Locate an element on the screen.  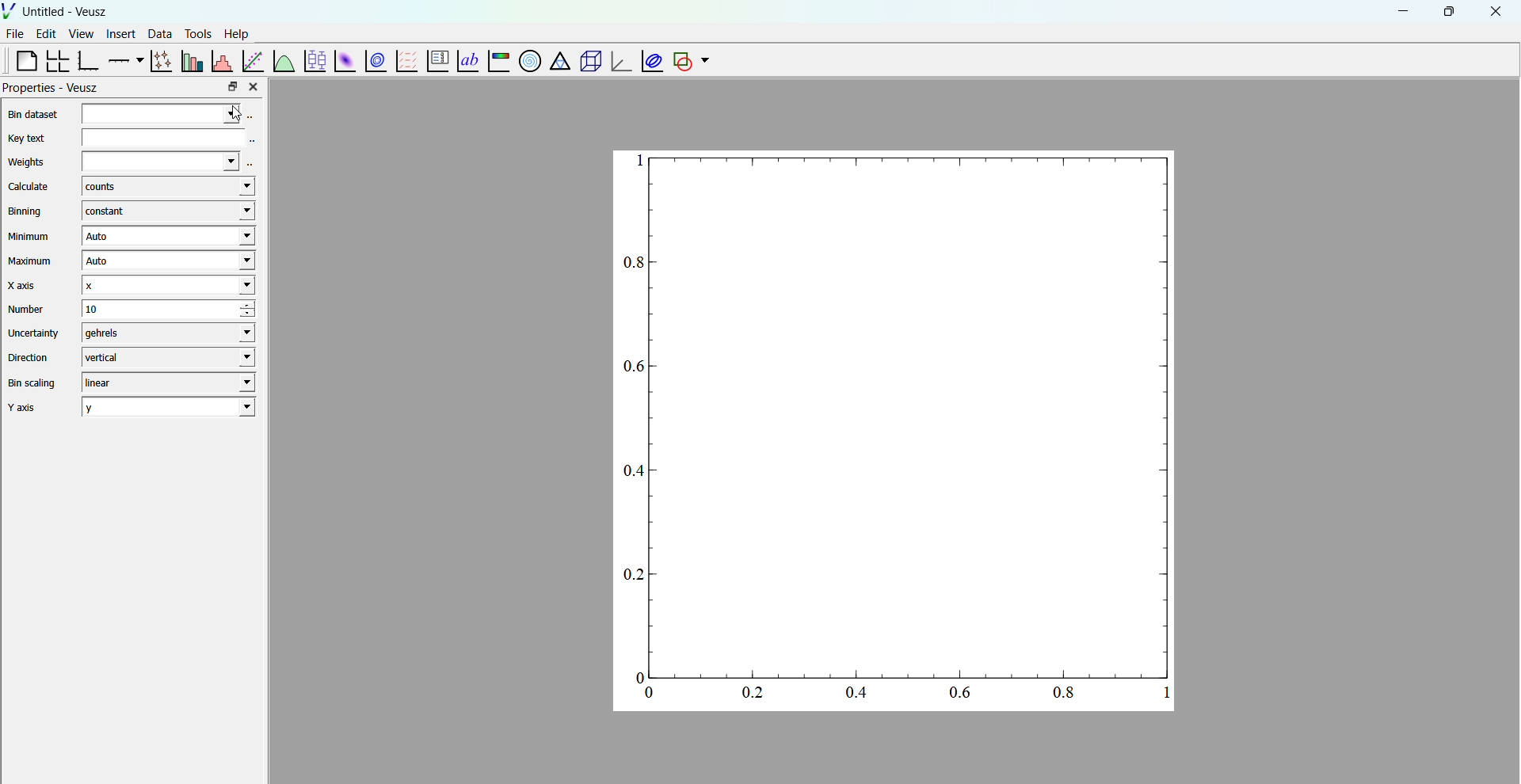
plot 2d dataset as an image is located at coordinates (342, 61).